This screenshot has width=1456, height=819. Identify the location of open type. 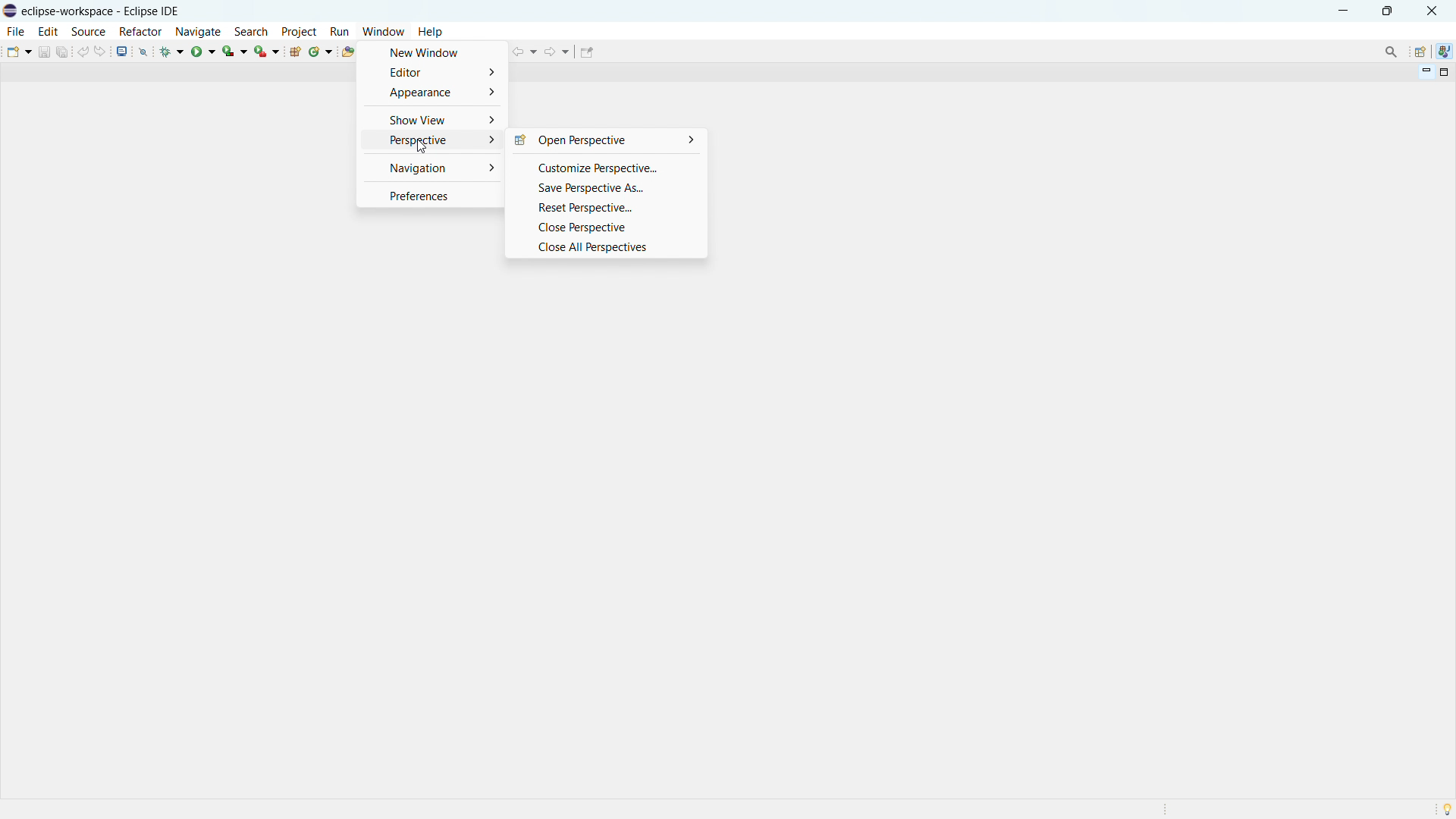
(347, 52).